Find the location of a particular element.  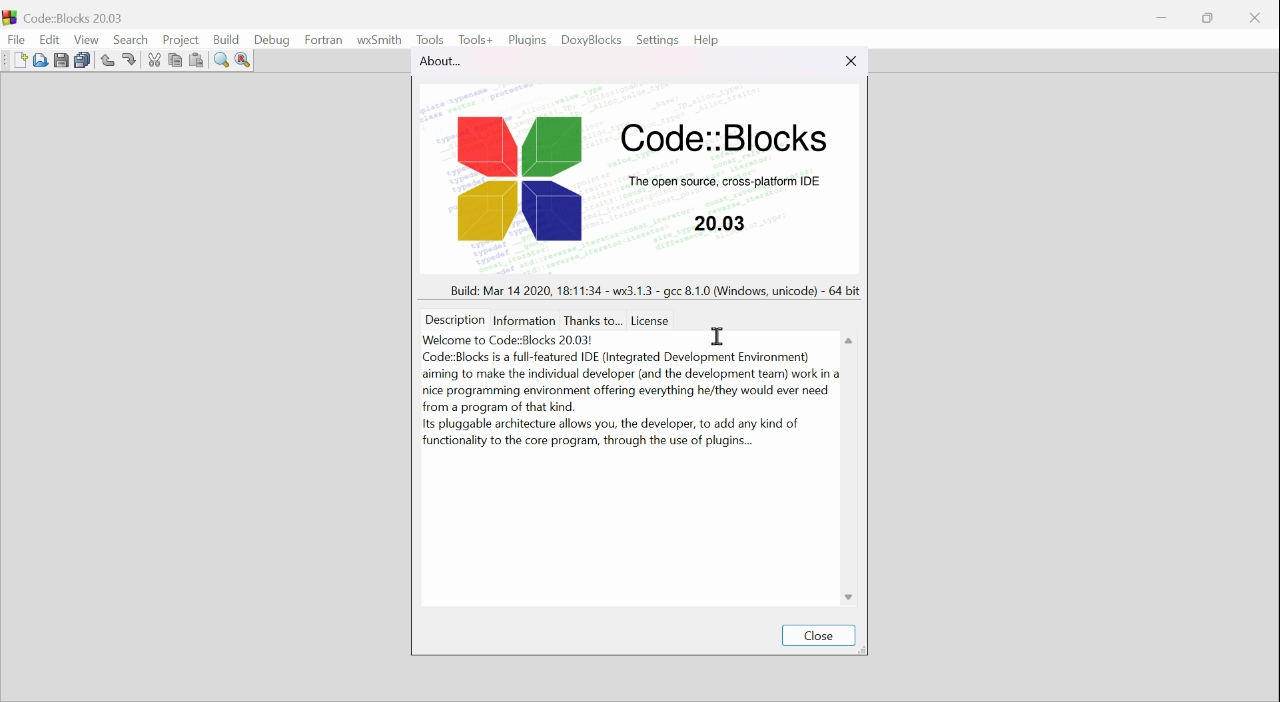

Doxyblocks is located at coordinates (594, 41).